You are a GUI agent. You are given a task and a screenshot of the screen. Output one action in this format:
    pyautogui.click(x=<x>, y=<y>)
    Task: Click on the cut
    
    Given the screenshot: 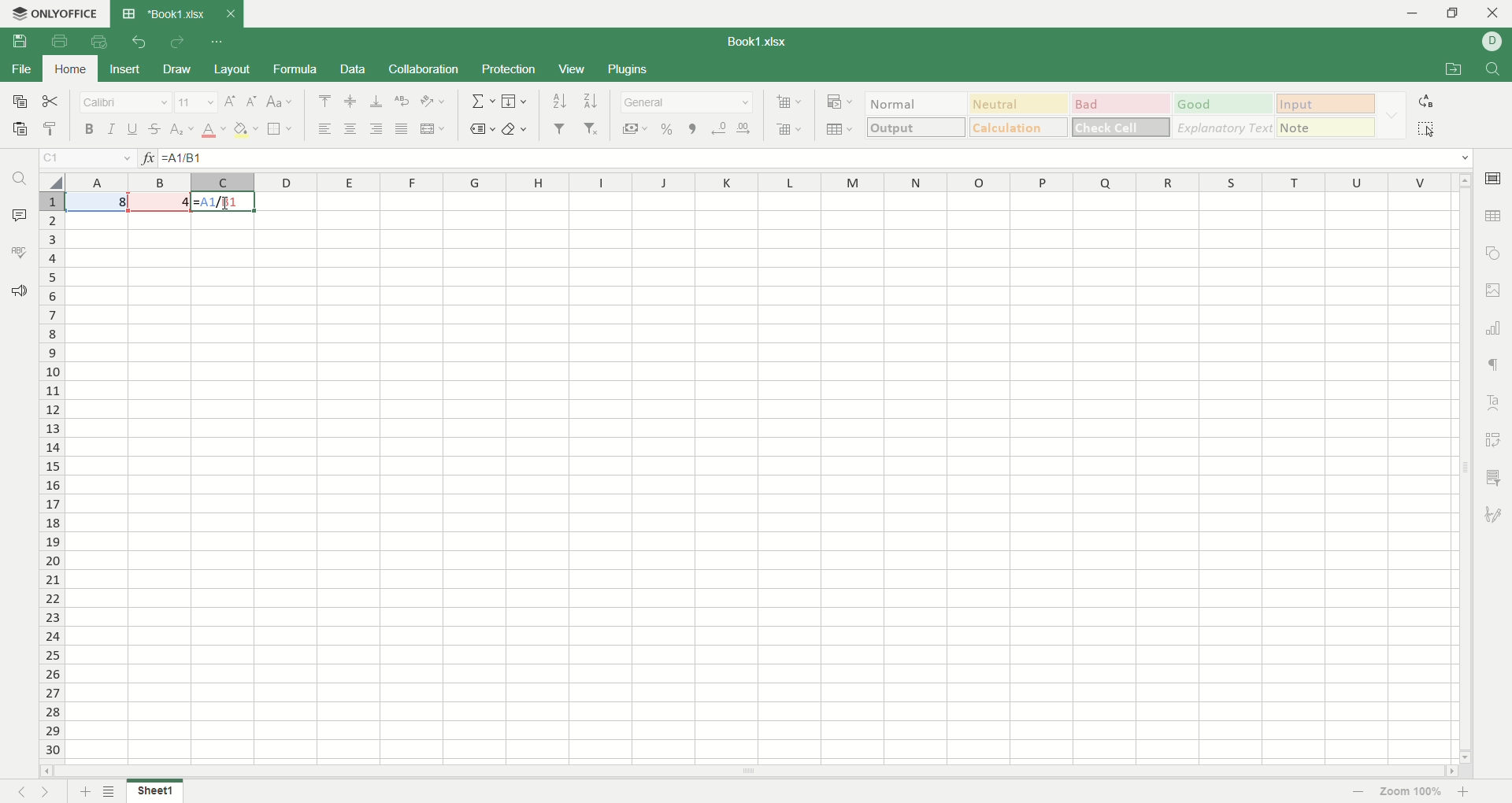 What is the action you would take?
    pyautogui.click(x=51, y=102)
    